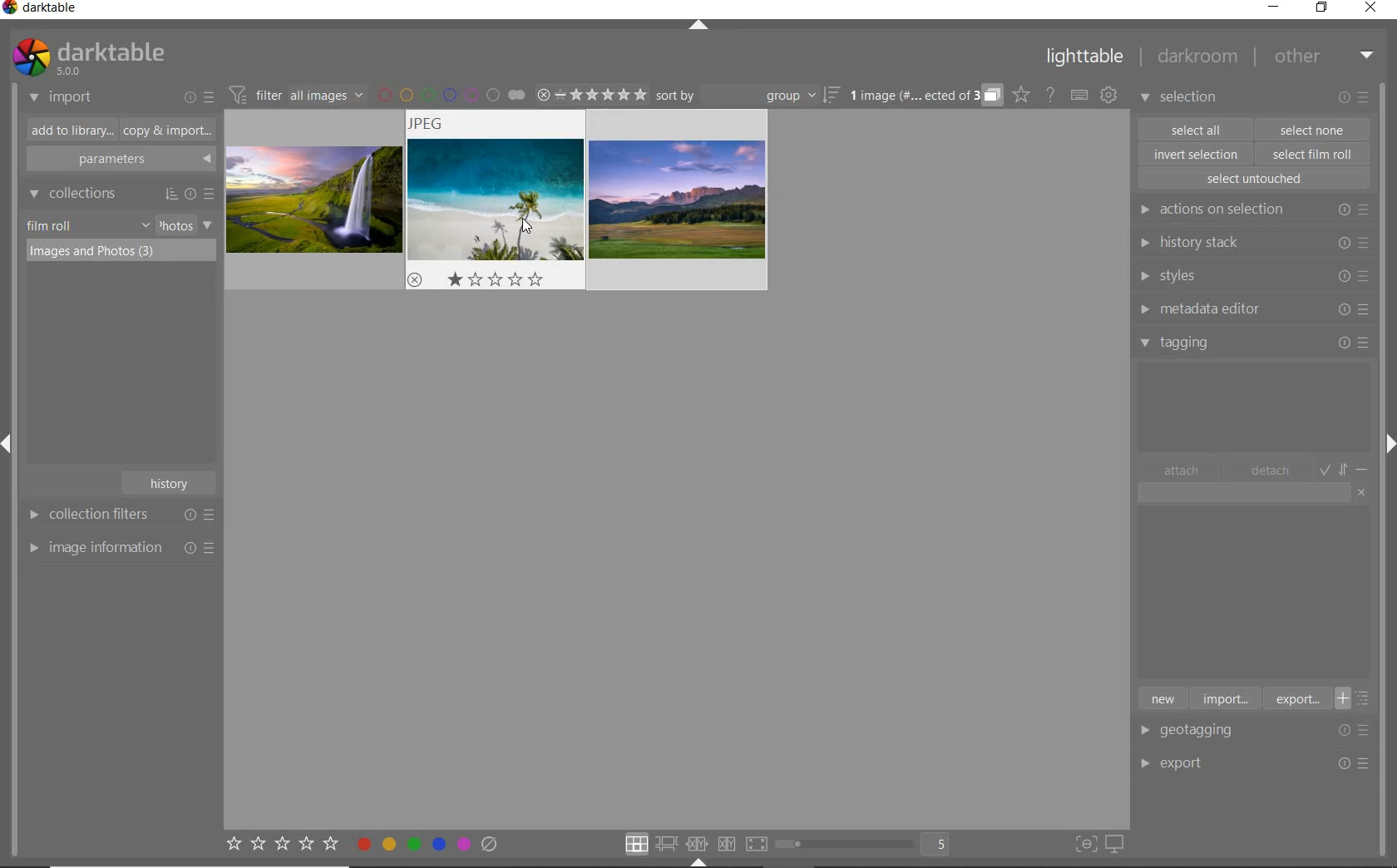 The image size is (1397, 868). I want to click on Expand/Collapse, so click(694, 862).